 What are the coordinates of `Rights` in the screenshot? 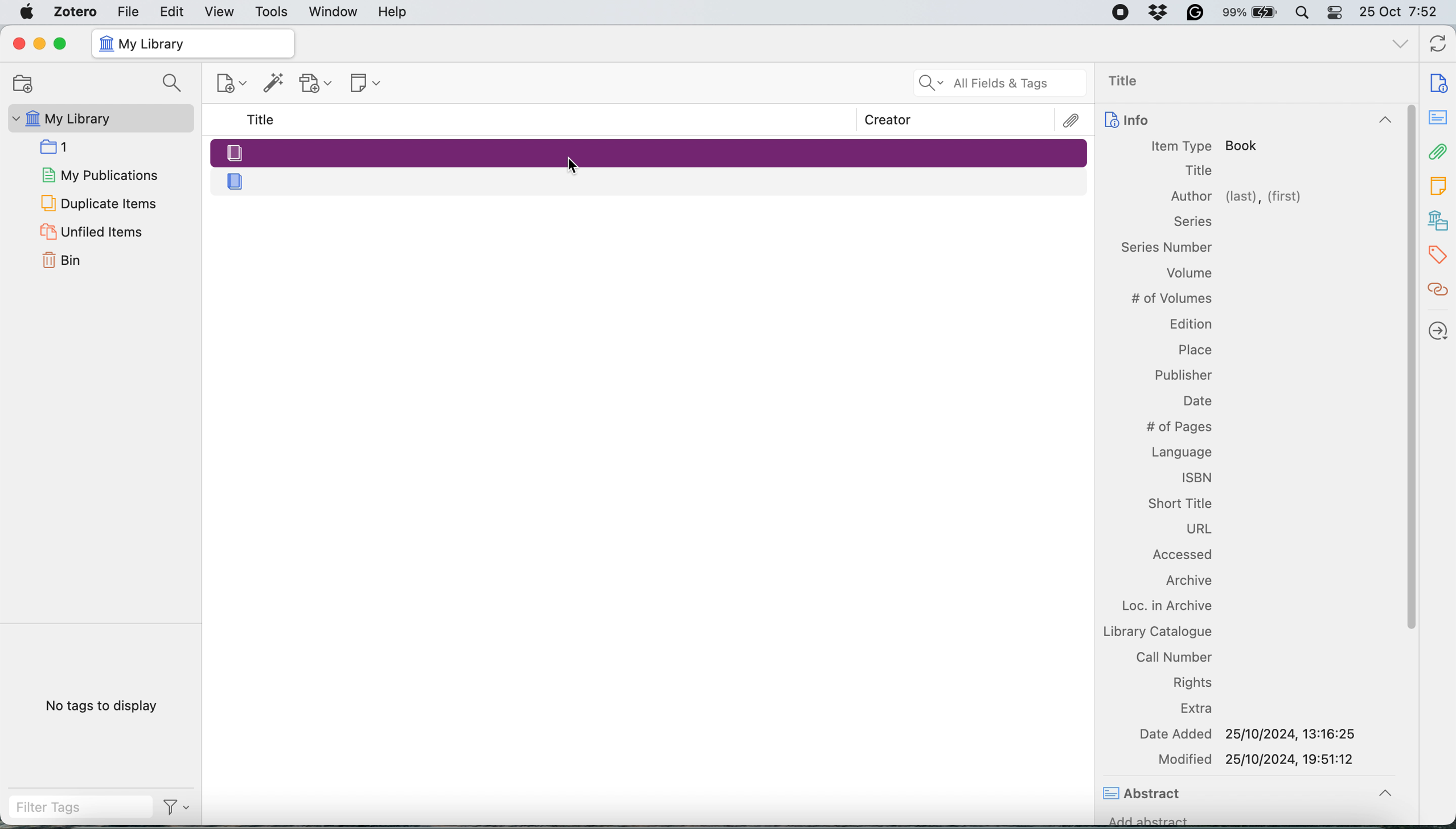 It's located at (1194, 682).